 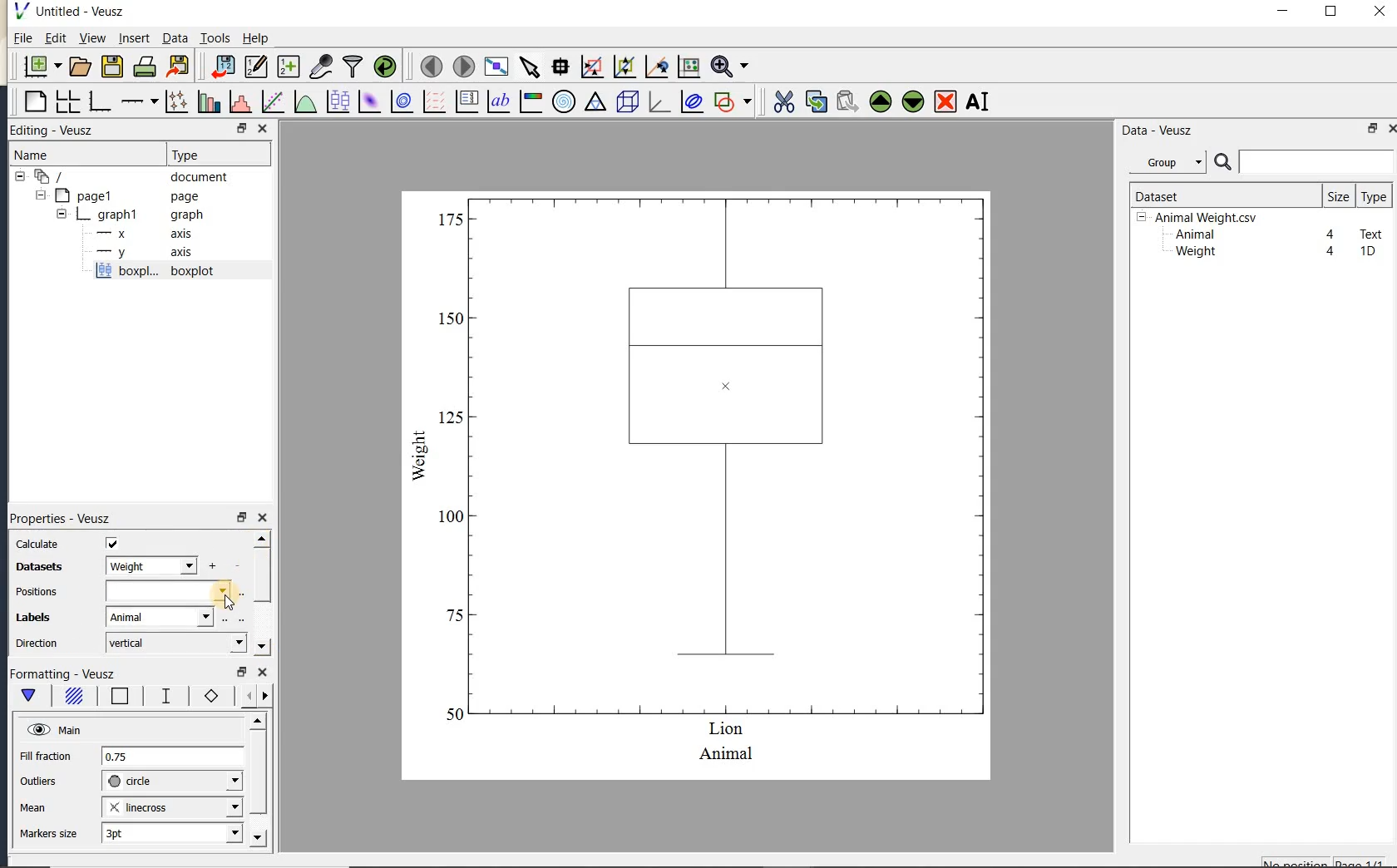 I want to click on 4, so click(x=1331, y=235).